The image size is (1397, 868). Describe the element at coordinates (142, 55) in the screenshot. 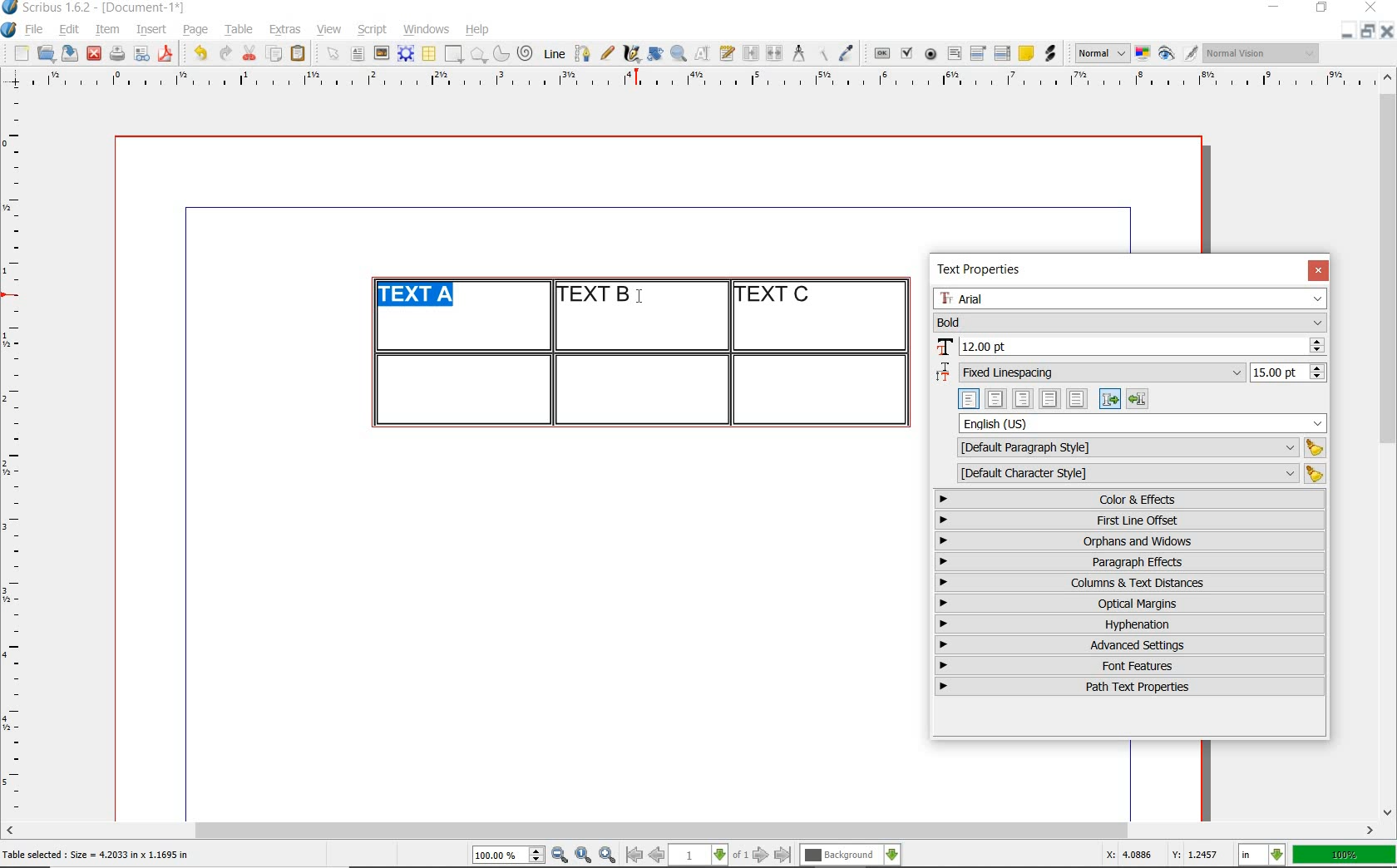

I see `preflight verifier` at that location.